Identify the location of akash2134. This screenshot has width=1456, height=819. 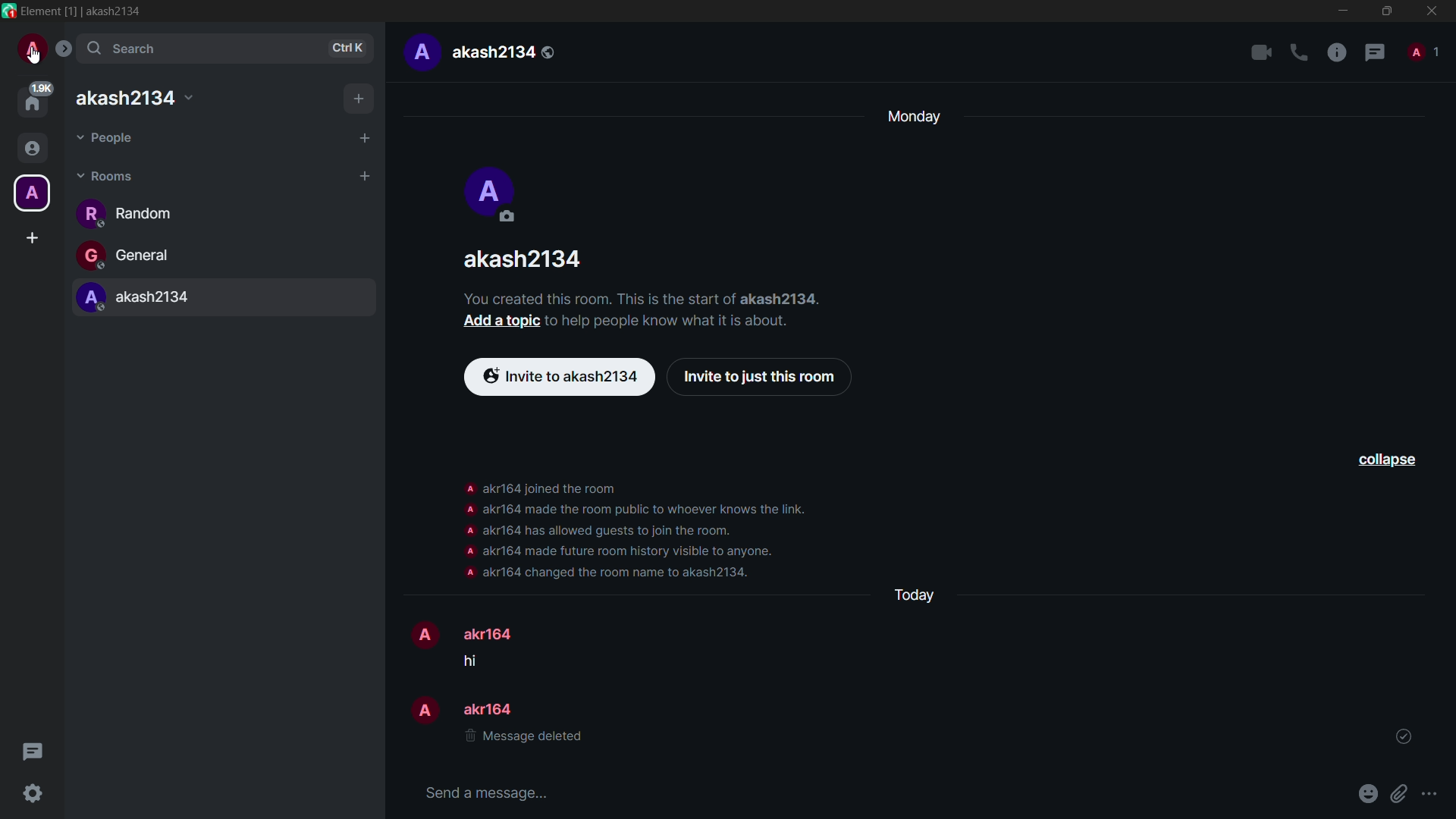
(133, 99).